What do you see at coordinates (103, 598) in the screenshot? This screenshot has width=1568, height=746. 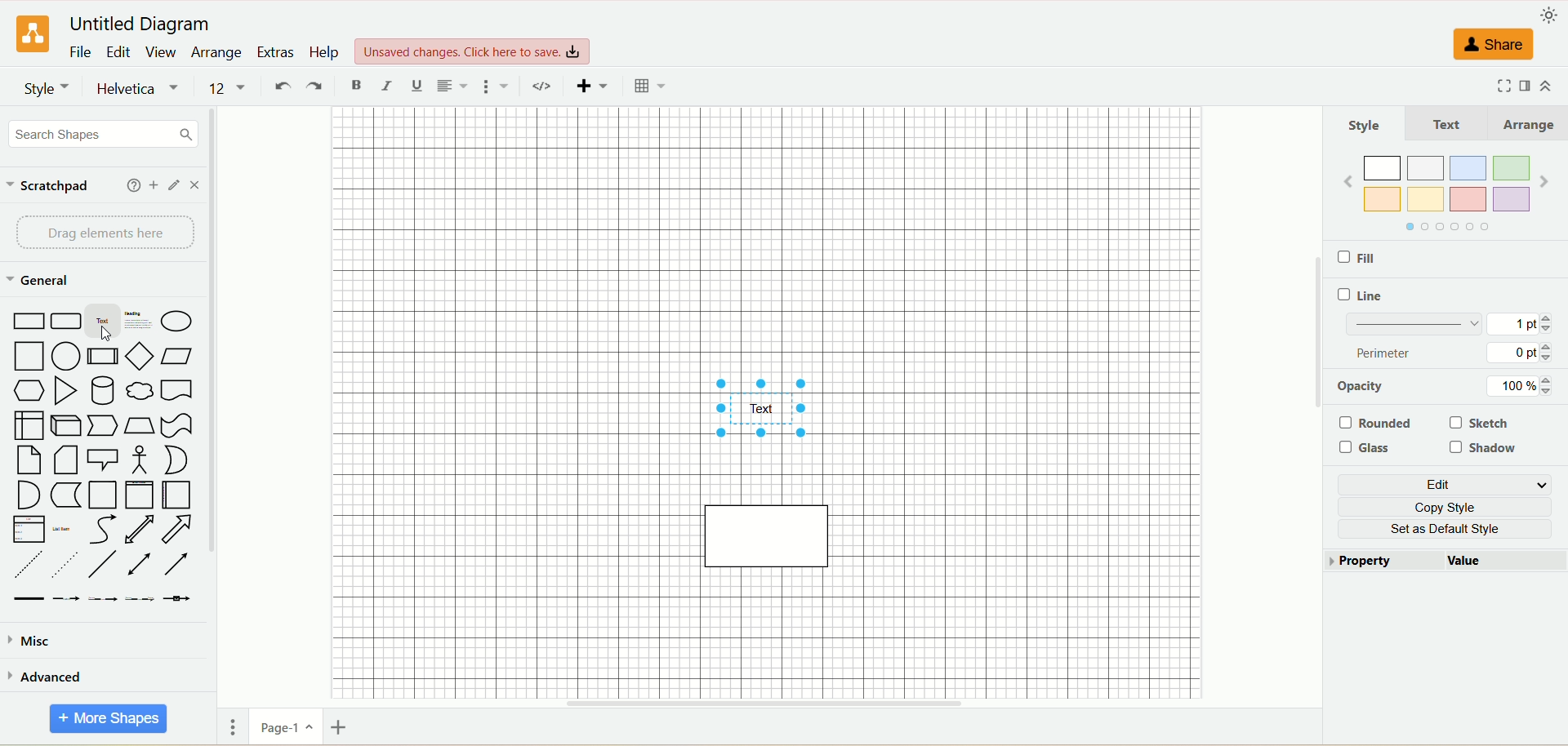 I see `connector 3` at bounding box center [103, 598].